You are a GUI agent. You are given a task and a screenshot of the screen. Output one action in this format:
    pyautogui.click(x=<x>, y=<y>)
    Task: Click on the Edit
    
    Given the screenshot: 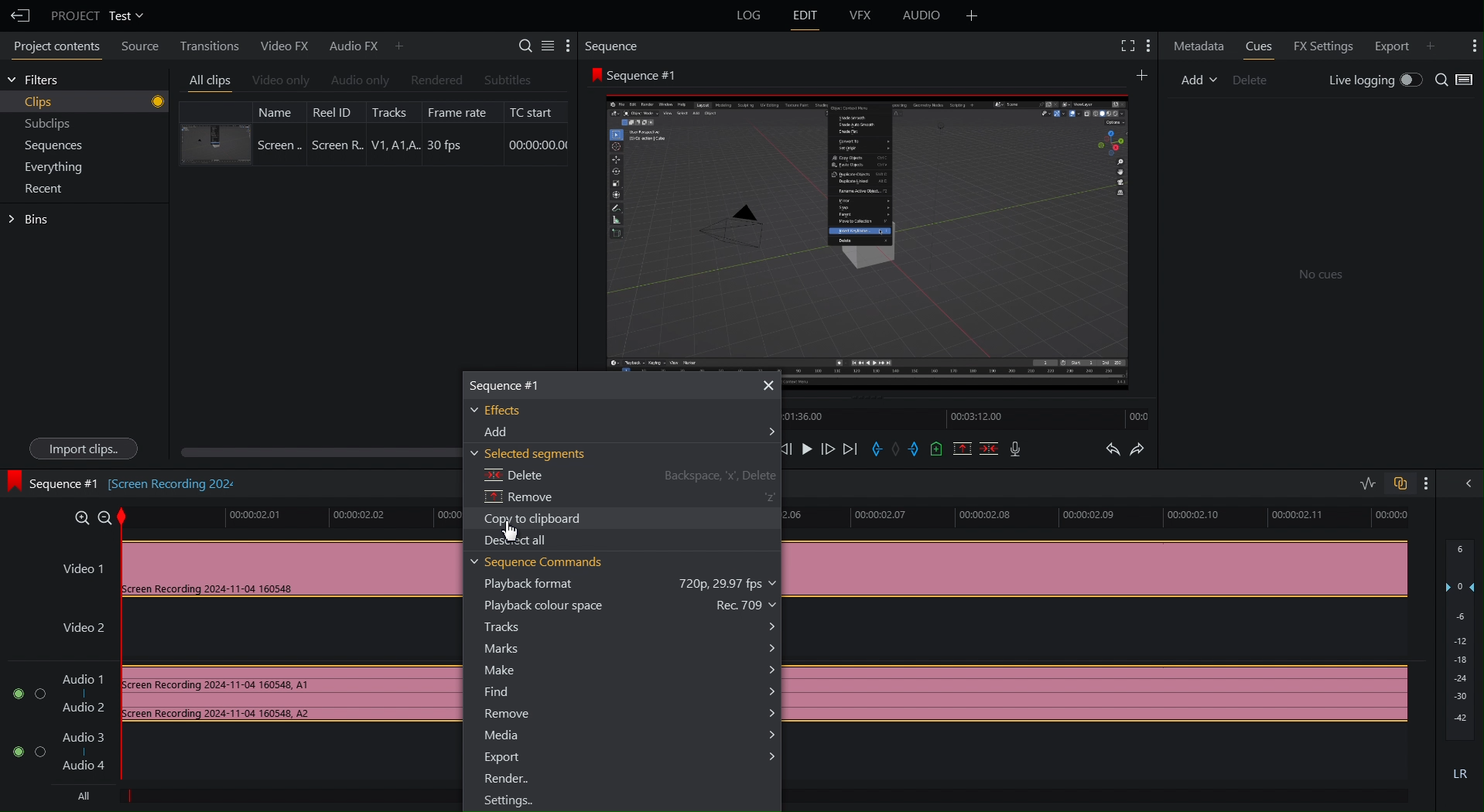 What is the action you would take?
    pyautogui.click(x=805, y=16)
    